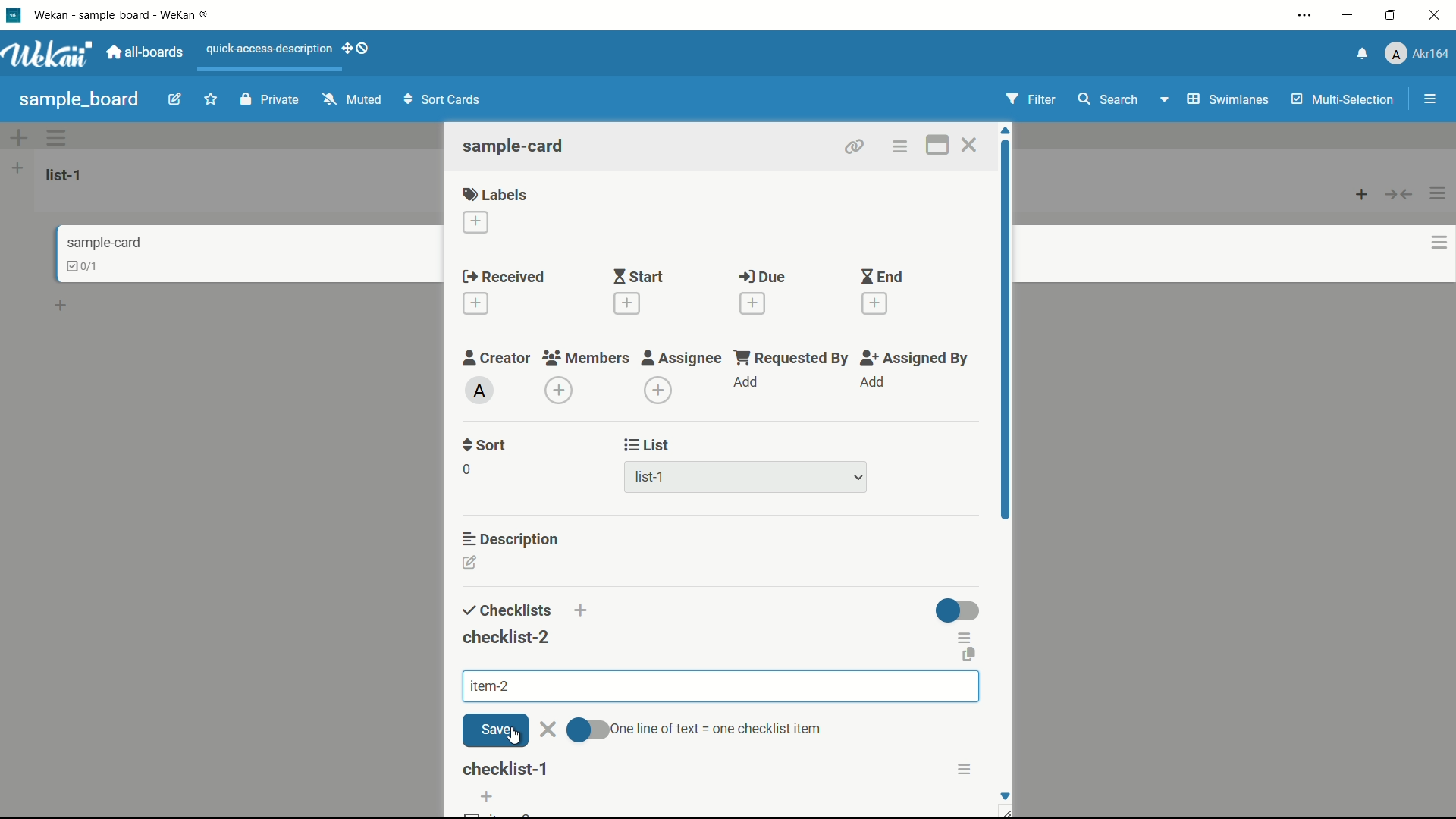  What do you see at coordinates (1439, 193) in the screenshot?
I see `list actions` at bounding box center [1439, 193].